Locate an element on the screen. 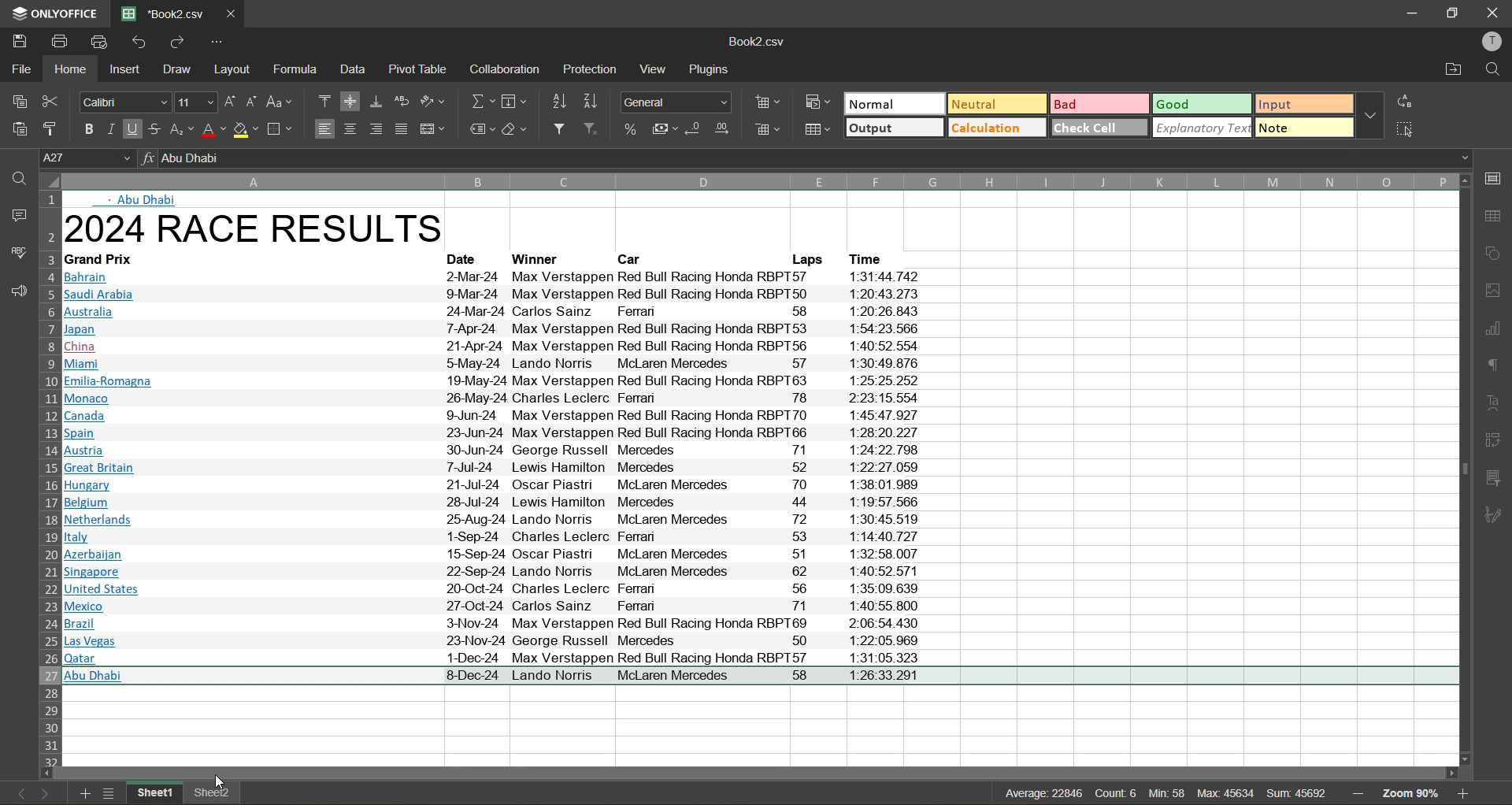 This screenshot has height=805, width=1512. charts is located at coordinates (1494, 329).